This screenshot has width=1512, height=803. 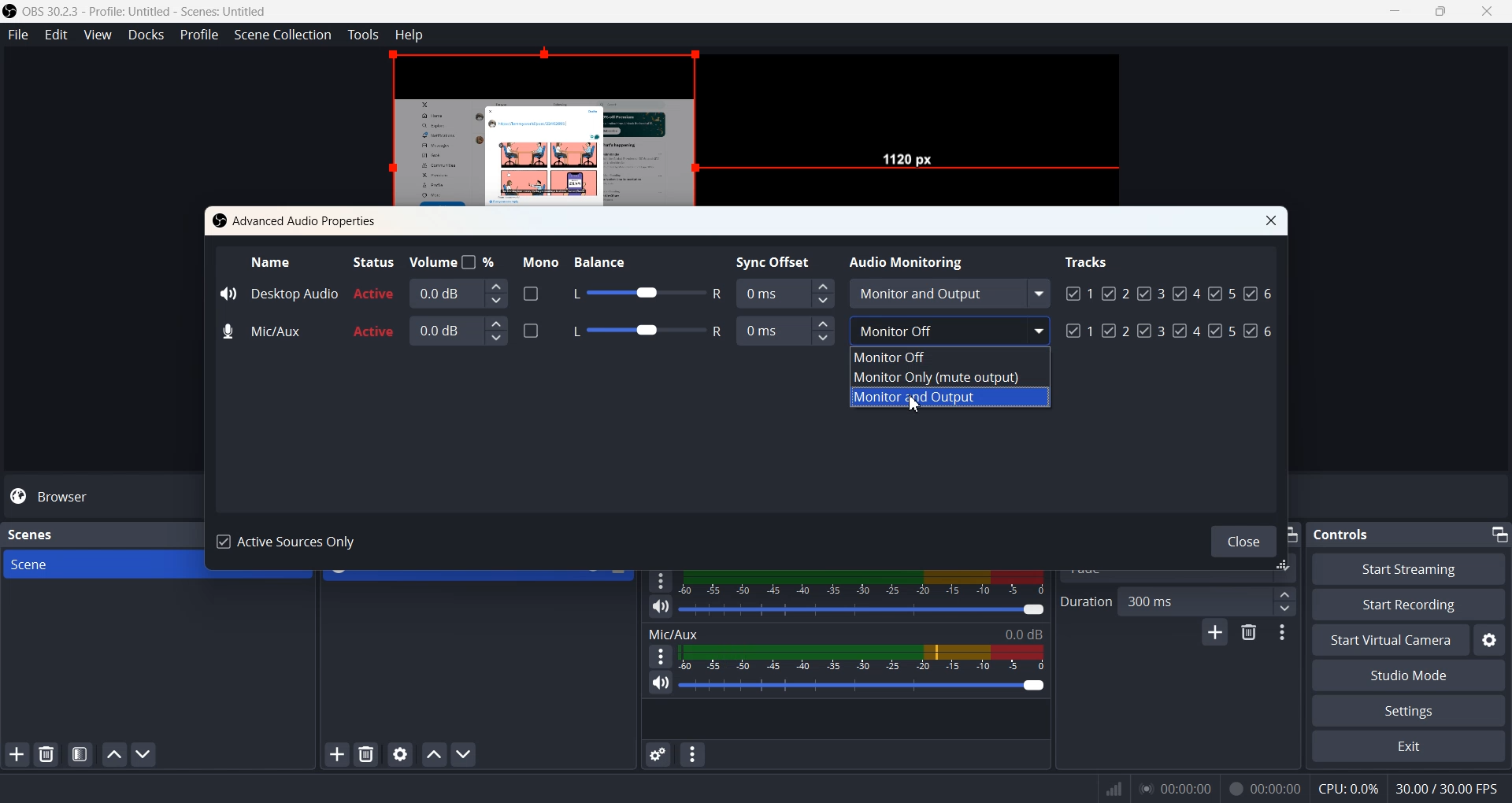 I want to click on Settings, so click(x=1490, y=640).